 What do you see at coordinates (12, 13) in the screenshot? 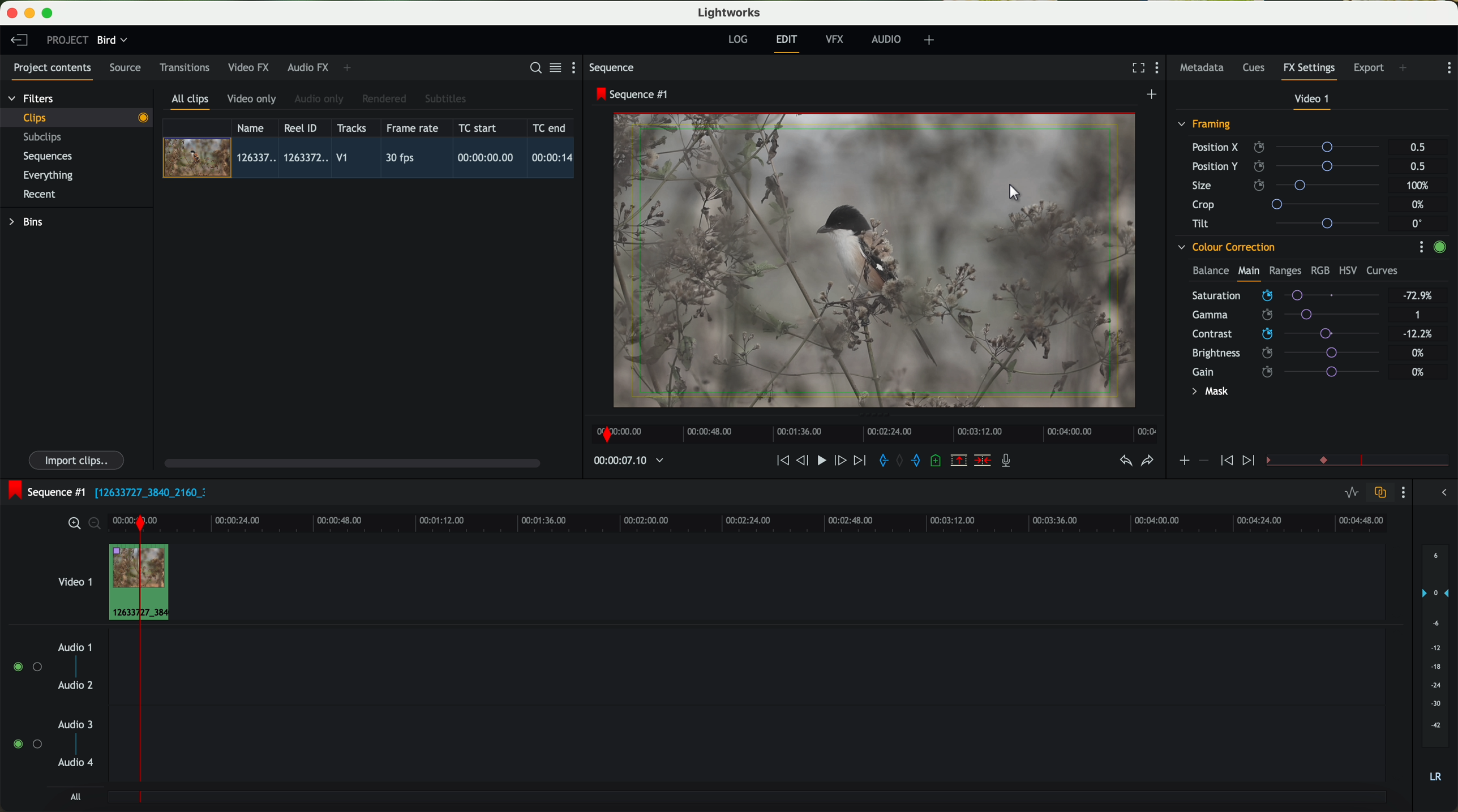
I see `close program` at bounding box center [12, 13].